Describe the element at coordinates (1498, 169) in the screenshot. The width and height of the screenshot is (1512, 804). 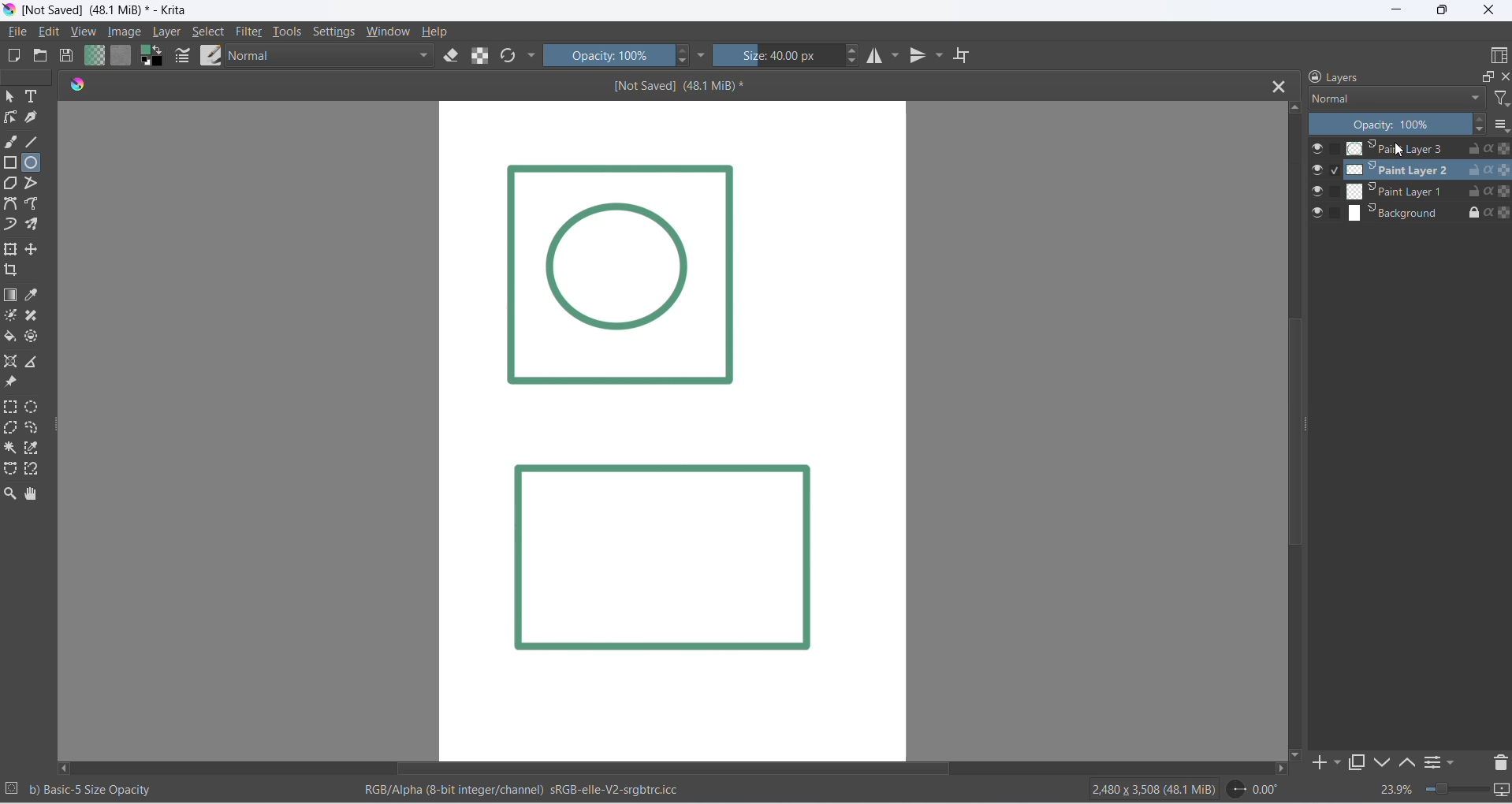
I see `Preserver alpha` at that location.